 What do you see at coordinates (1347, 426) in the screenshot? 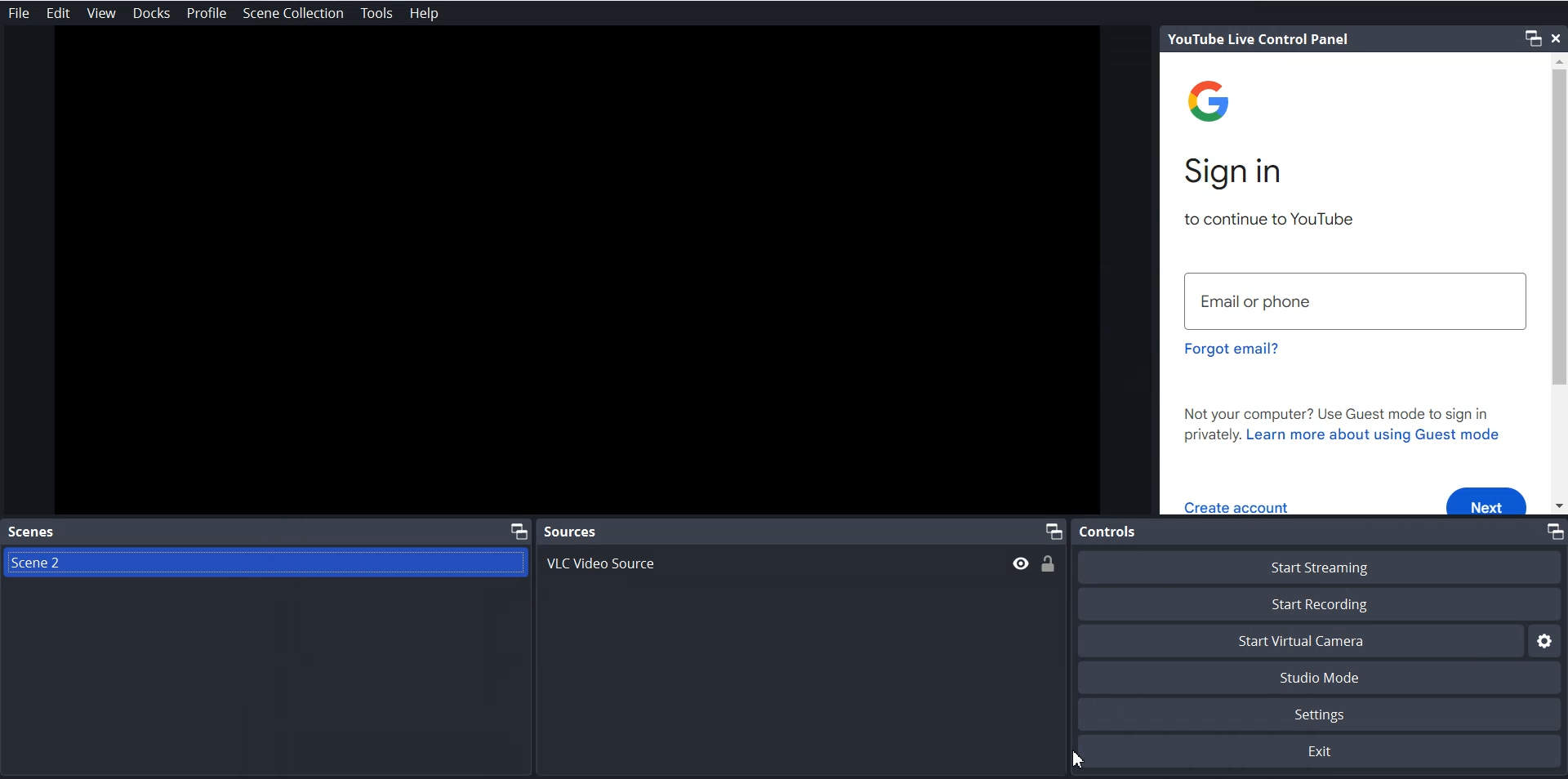
I see `Text` at bounding box center [1347, 426].